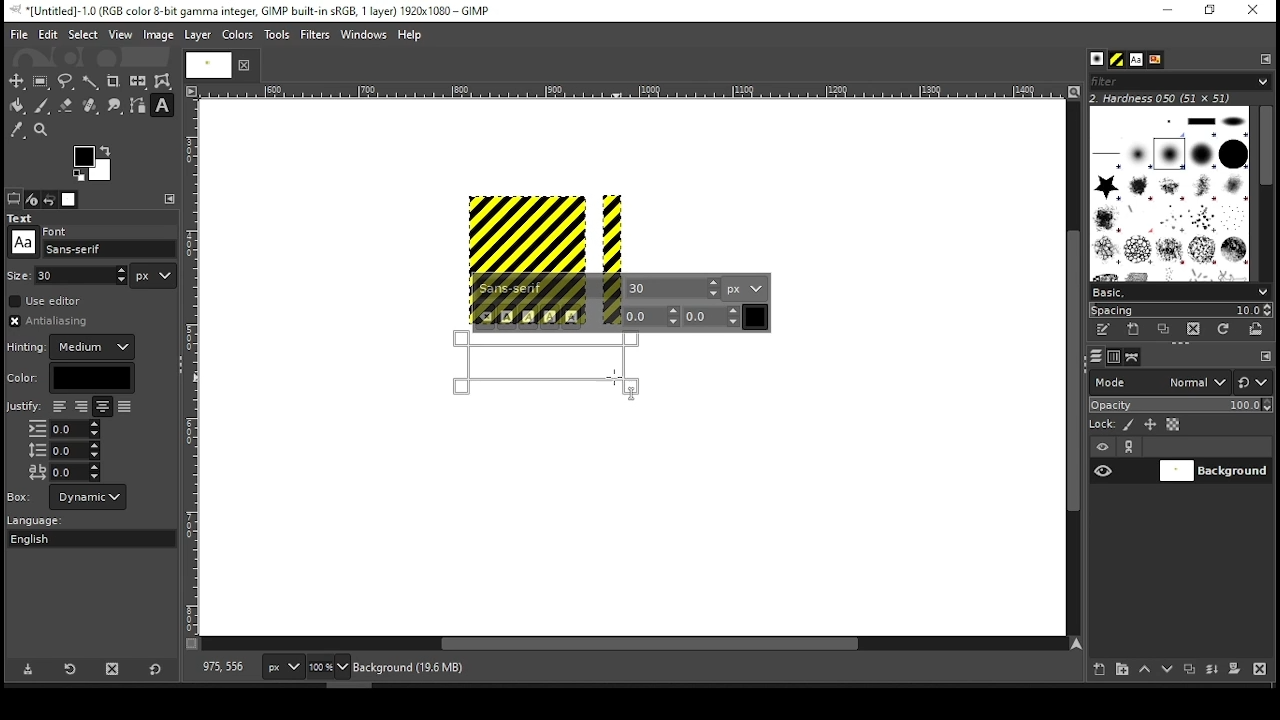 Image resolution: width=1280 pixels, height=720 pixels. I want to click on edit, so click(48, 34).